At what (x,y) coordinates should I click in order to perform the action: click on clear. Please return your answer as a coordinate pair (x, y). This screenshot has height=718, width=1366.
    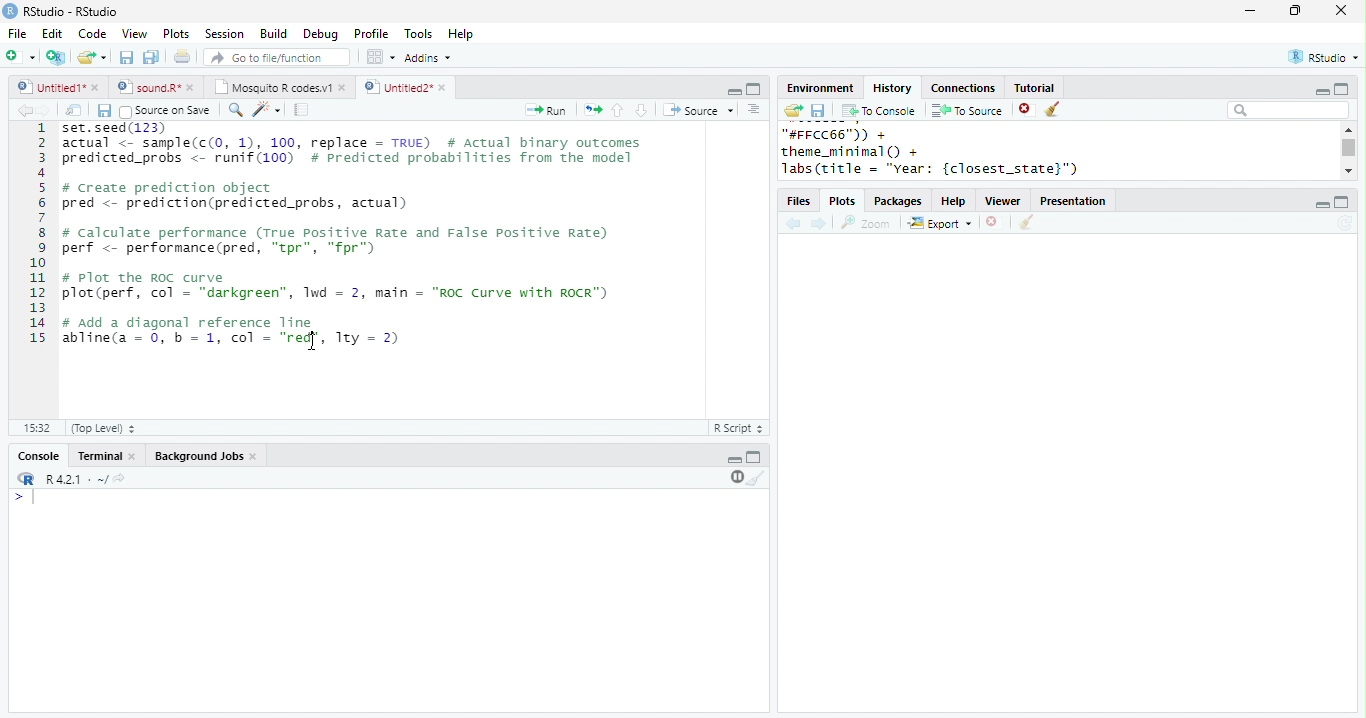
    Looking at the image, I should click on (757, 477).